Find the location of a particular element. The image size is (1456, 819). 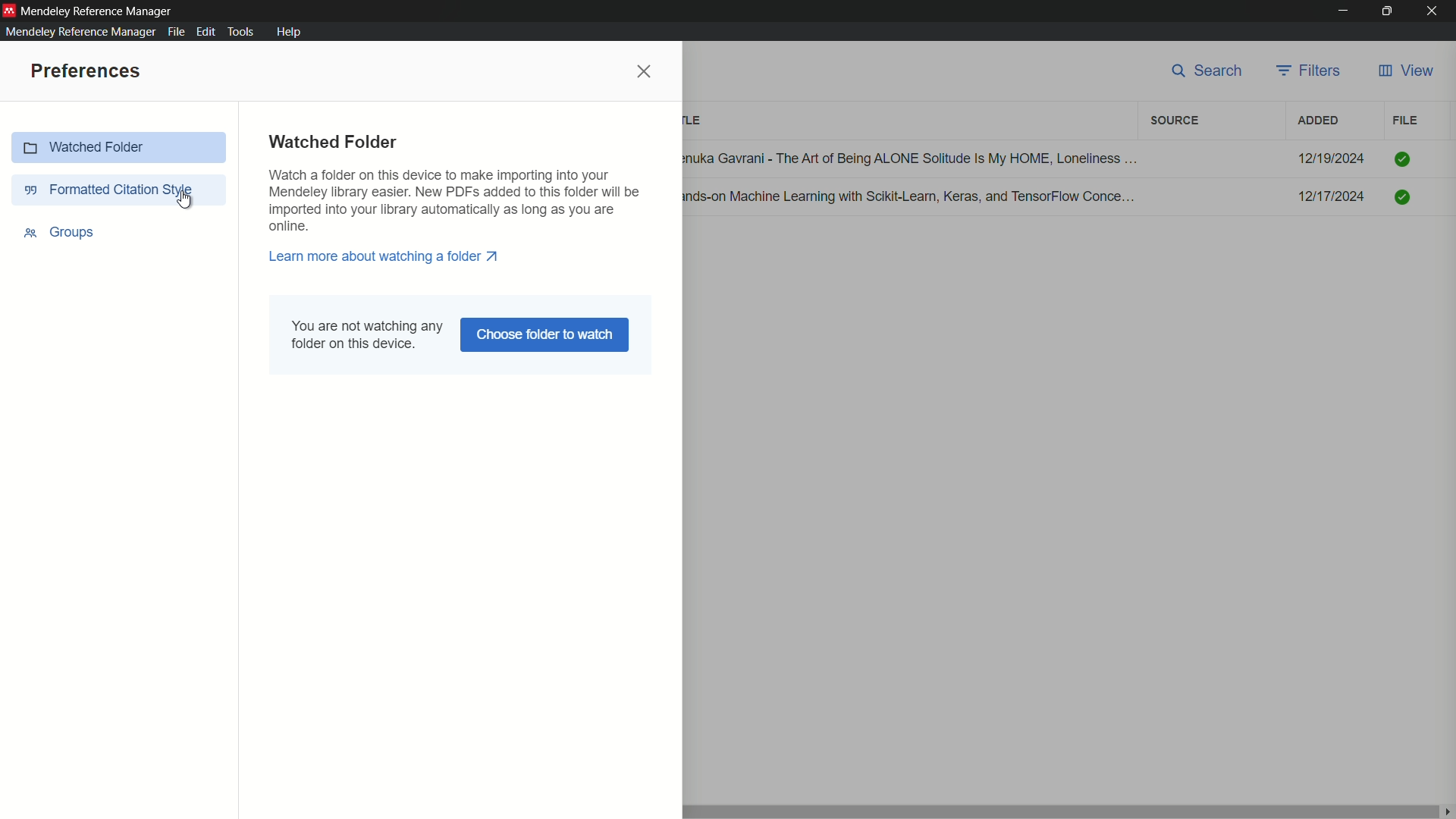

view is located at coordinates (1406, 73).